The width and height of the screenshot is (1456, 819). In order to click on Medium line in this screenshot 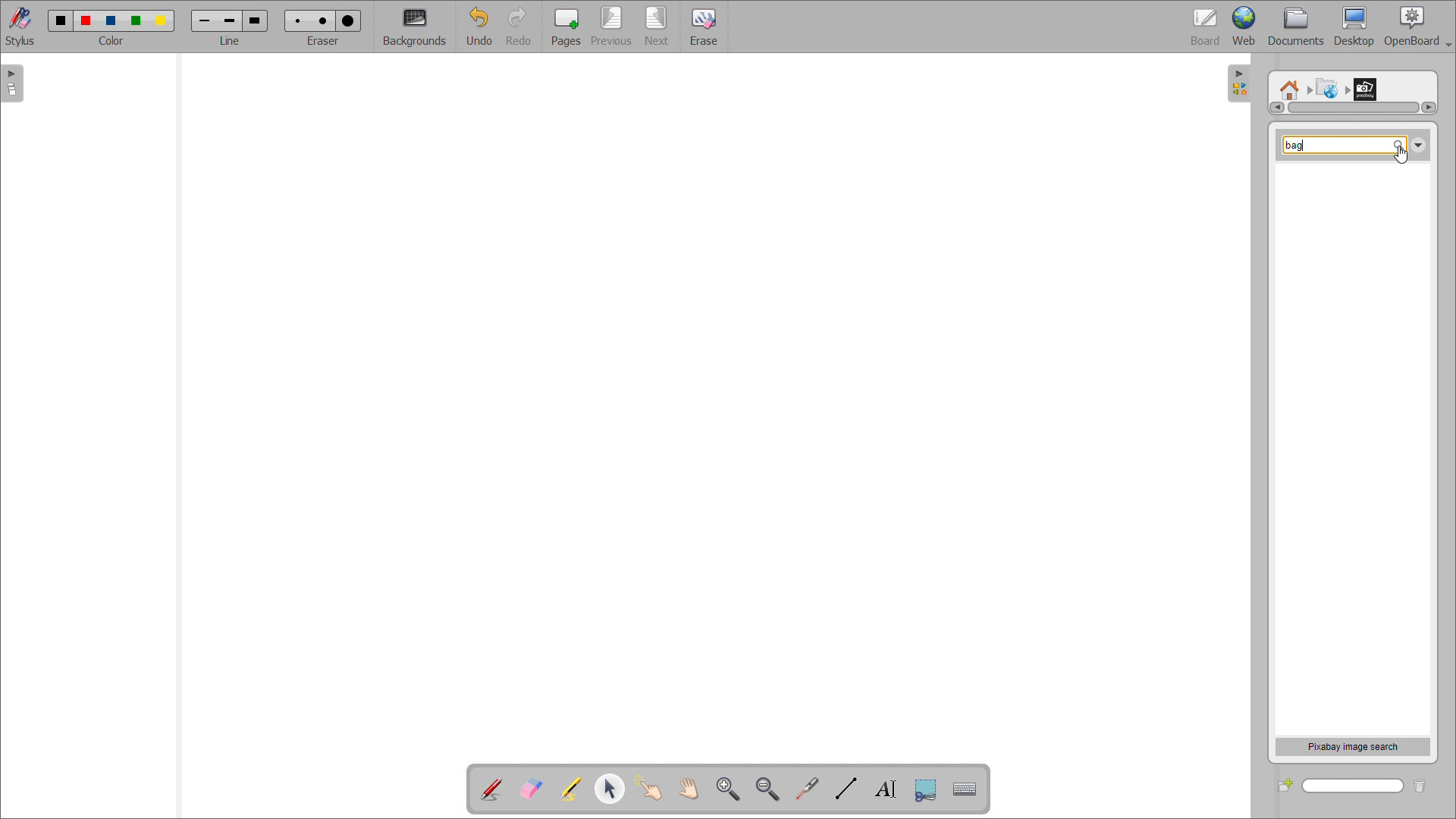, I will do `click(231, 20)`.